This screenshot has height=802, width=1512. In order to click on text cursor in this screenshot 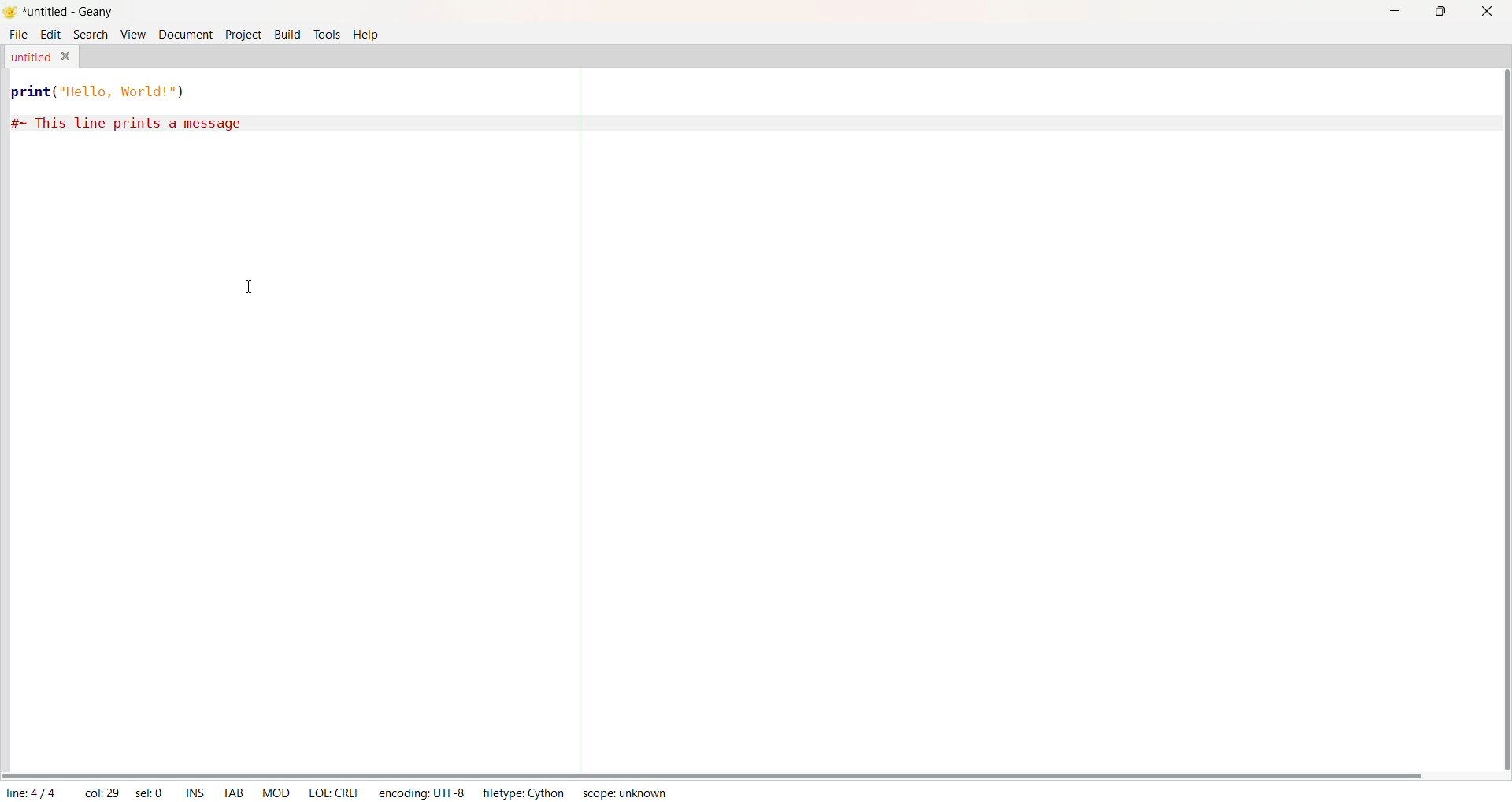, I will do `click(247, 289)`.